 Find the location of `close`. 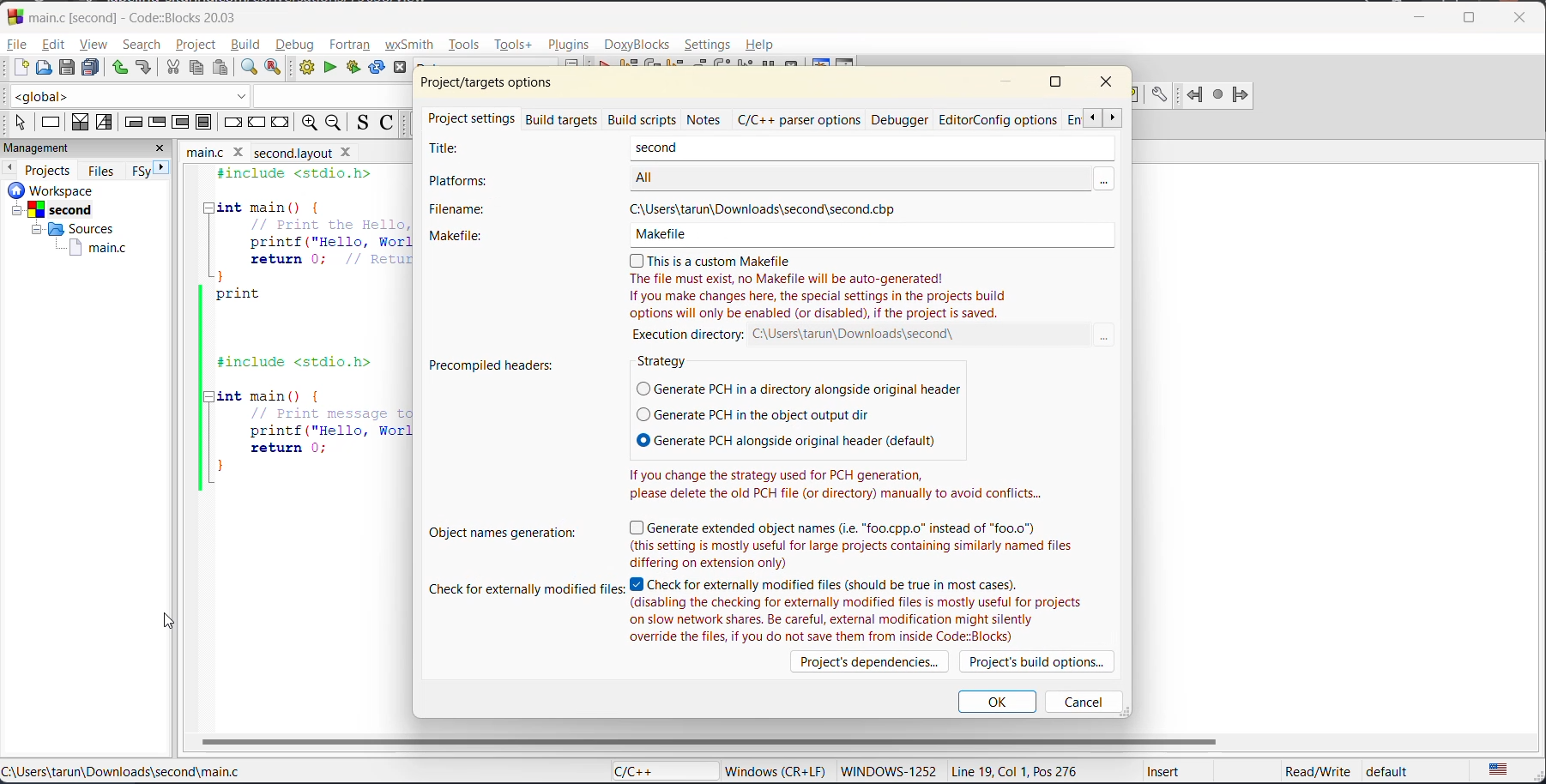

close is located at coordinates (161, 149).